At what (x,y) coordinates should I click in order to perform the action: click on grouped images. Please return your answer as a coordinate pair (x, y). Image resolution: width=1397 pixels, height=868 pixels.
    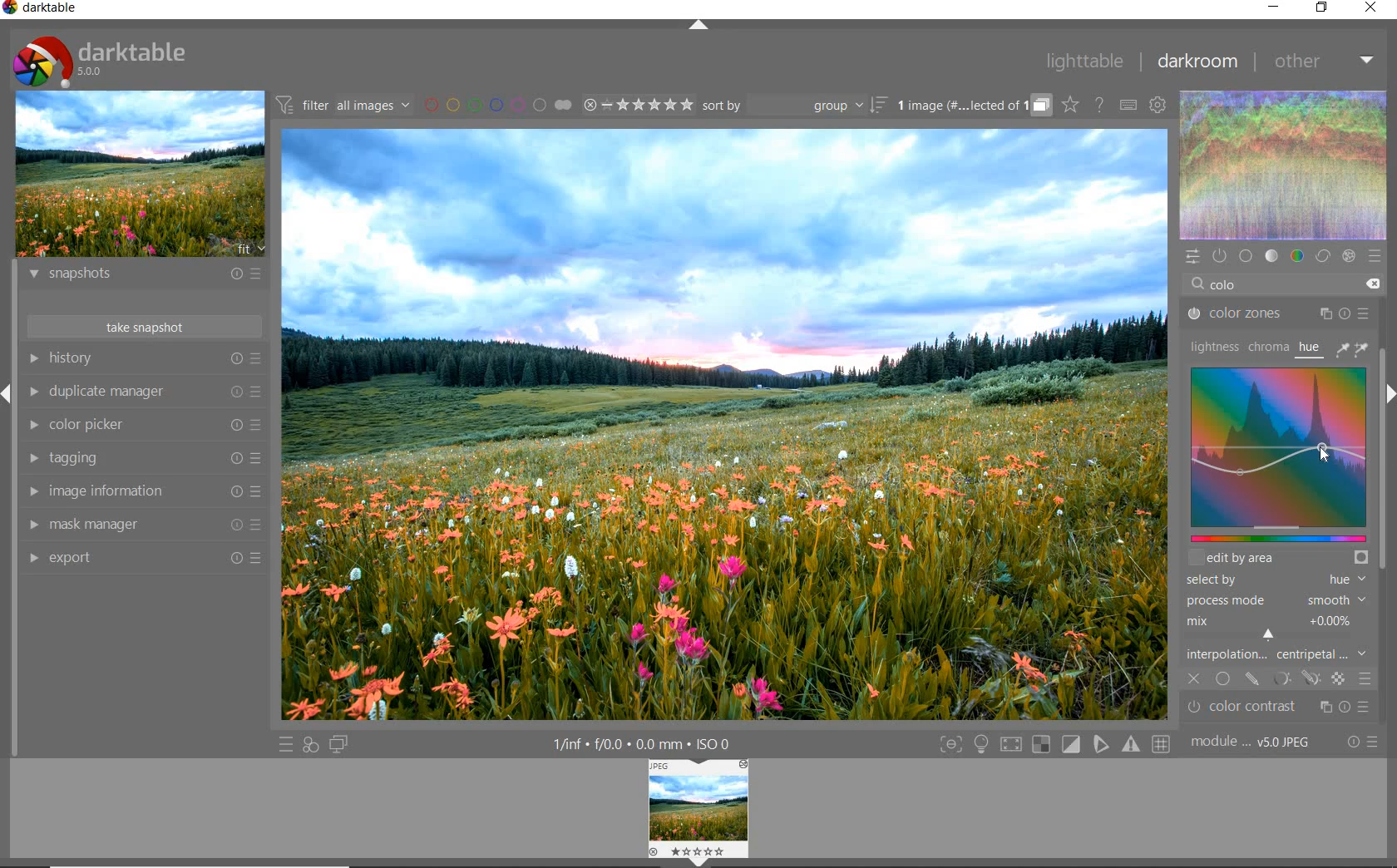
    Looking at the image, I should click on (972, 106).